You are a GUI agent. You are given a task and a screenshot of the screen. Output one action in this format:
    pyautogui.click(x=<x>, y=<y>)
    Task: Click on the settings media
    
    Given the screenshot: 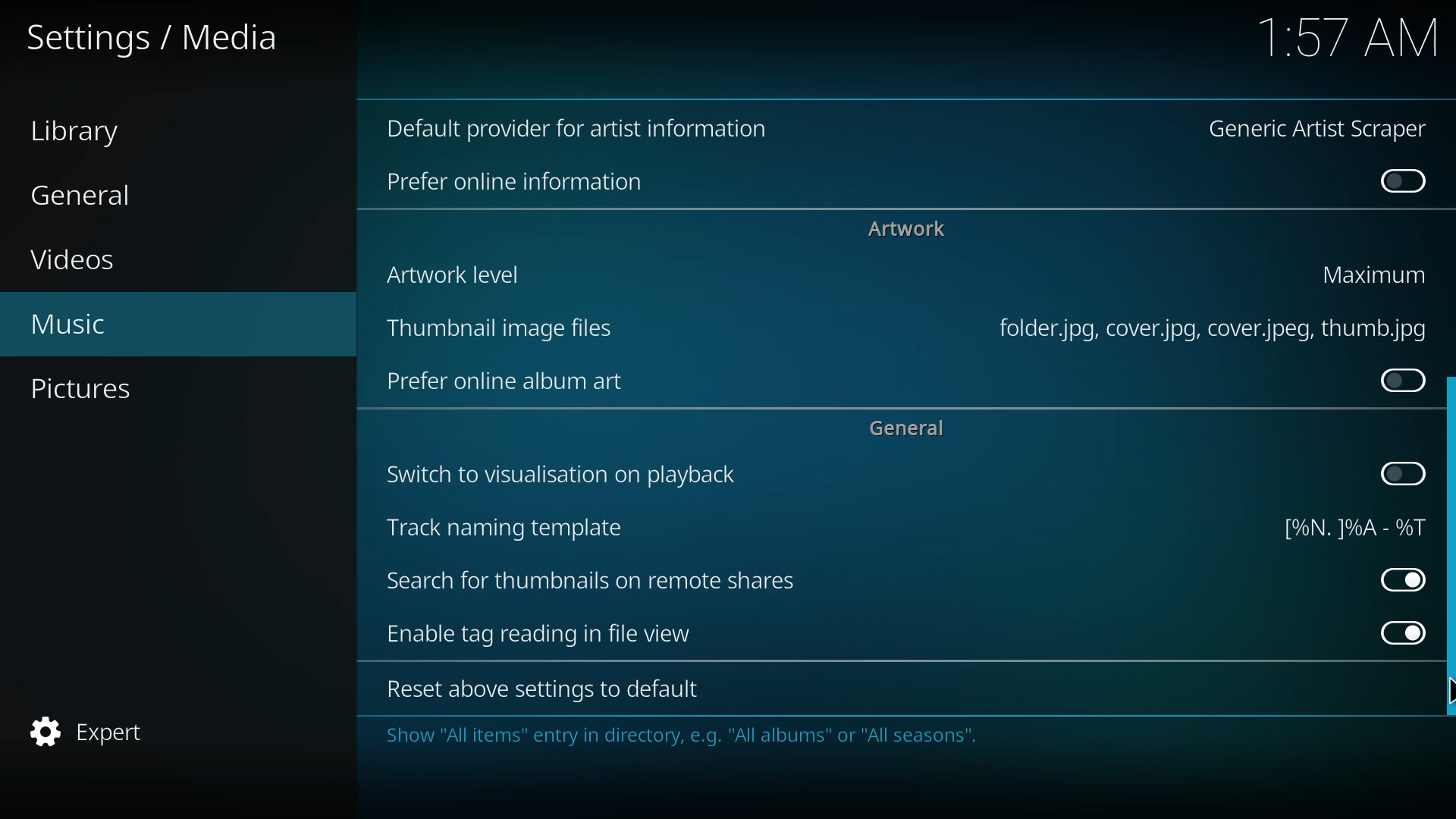 What is the action you would take?
    pyautogui.click(x=161, y=39)
    